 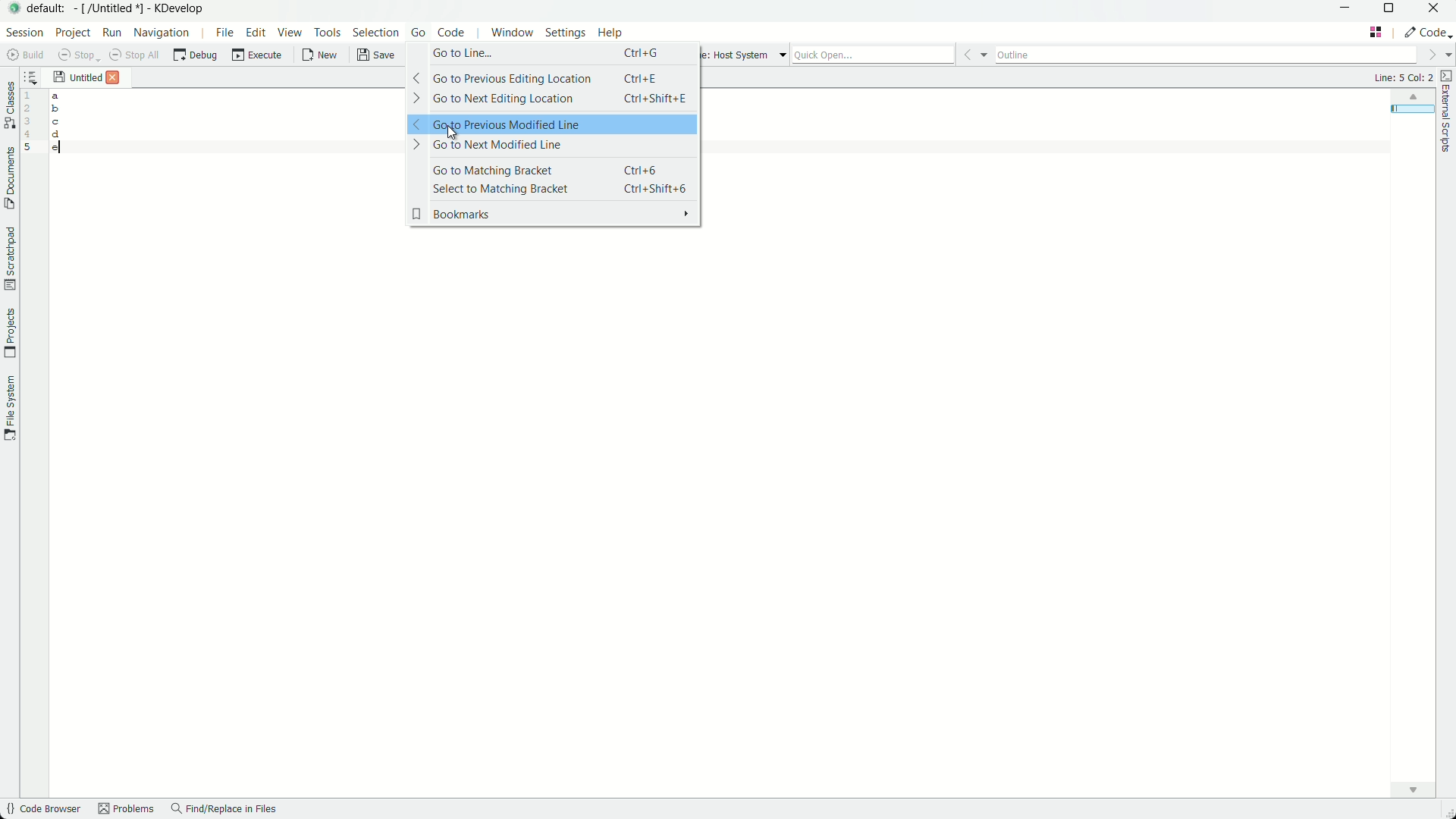 I want to click on maximize or restore, so click(x=1389, y=10).